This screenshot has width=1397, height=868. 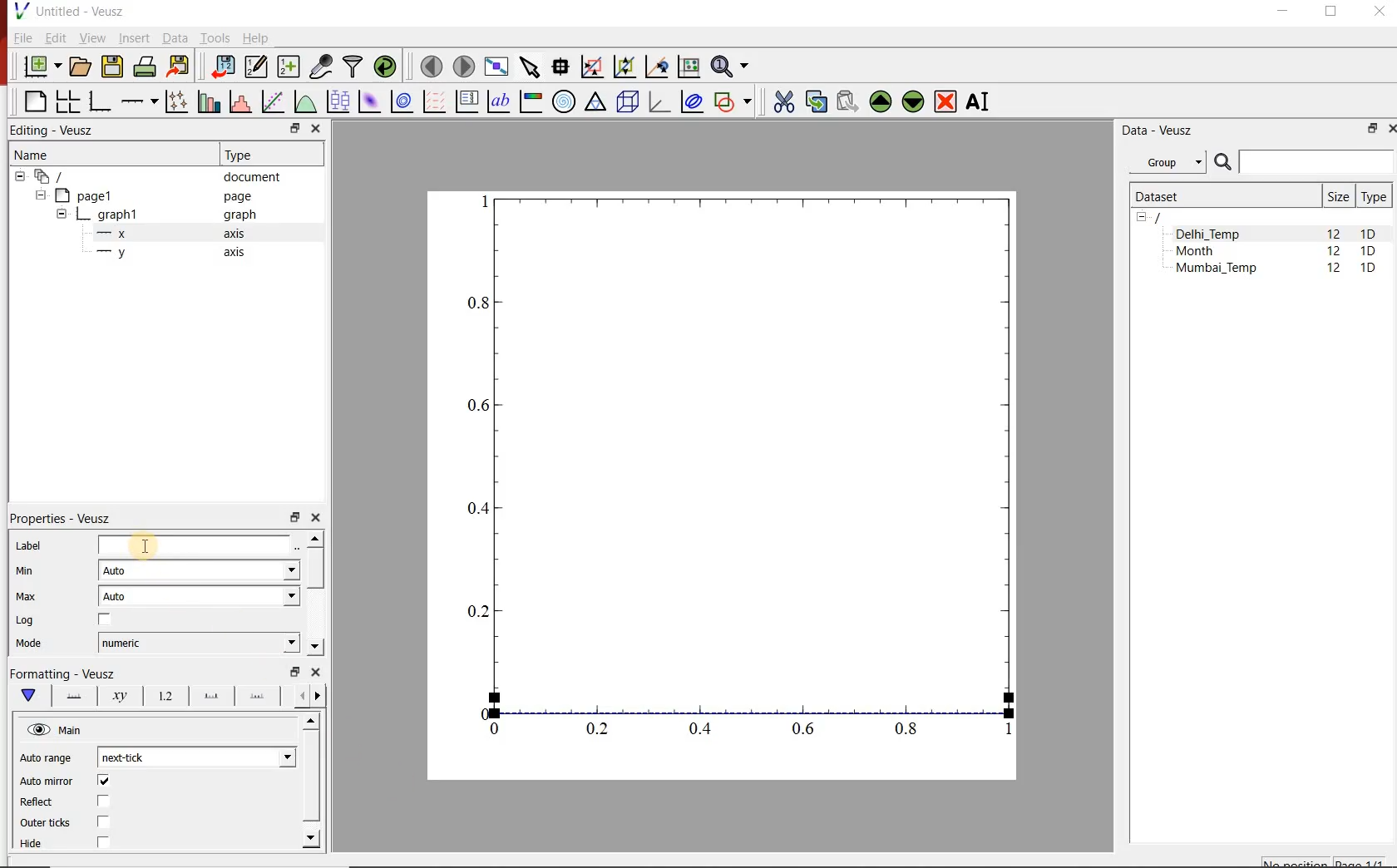 What do you see at coordinates (26, 696) in the screenshot?
I see `Main formatting` at bounding box center [26, 696].